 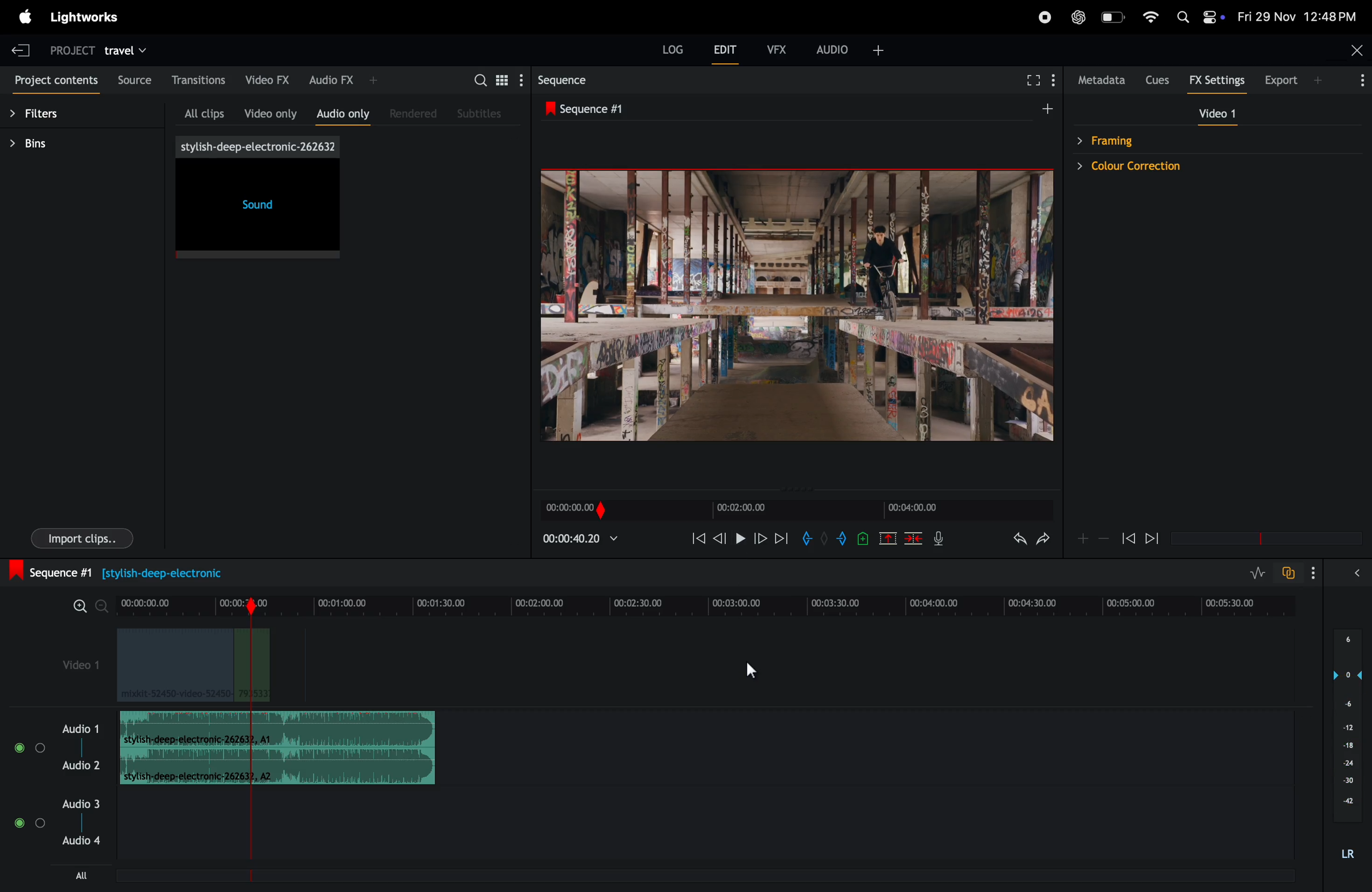 I want to click on previous, so click(x=721, y=538).